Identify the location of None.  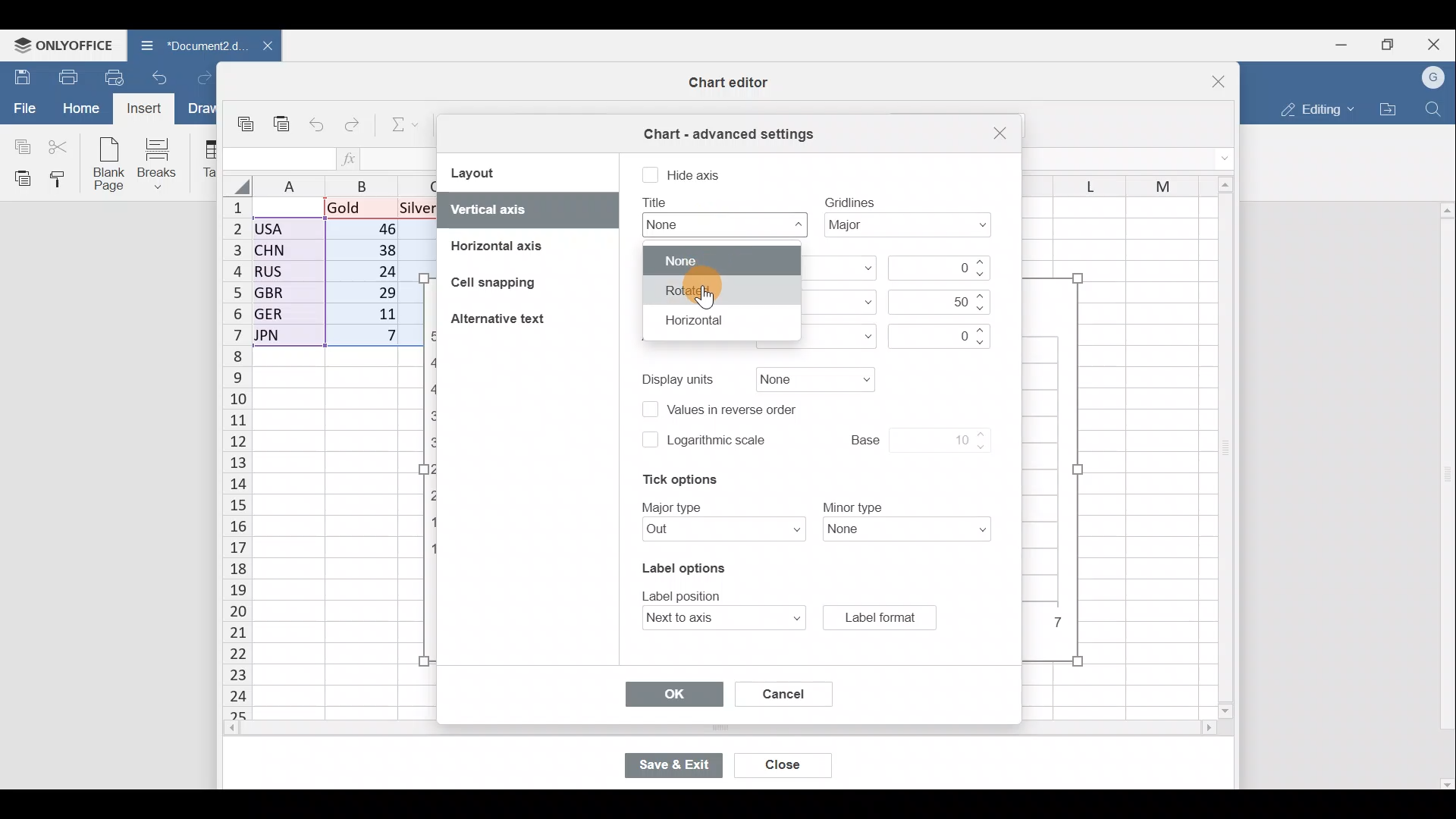
(719, 259).